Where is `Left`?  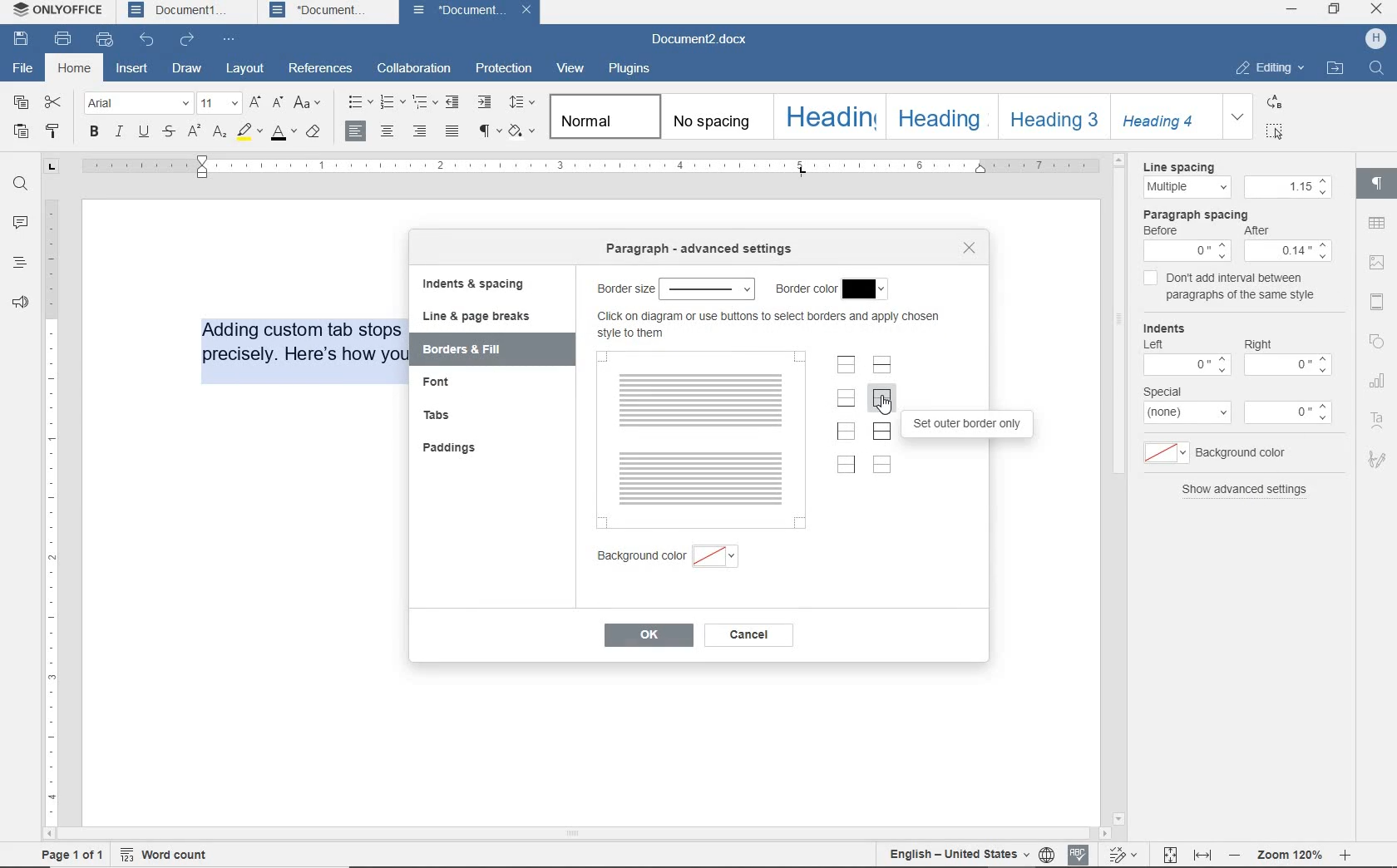
Left is located at coordinates (1158, 345).